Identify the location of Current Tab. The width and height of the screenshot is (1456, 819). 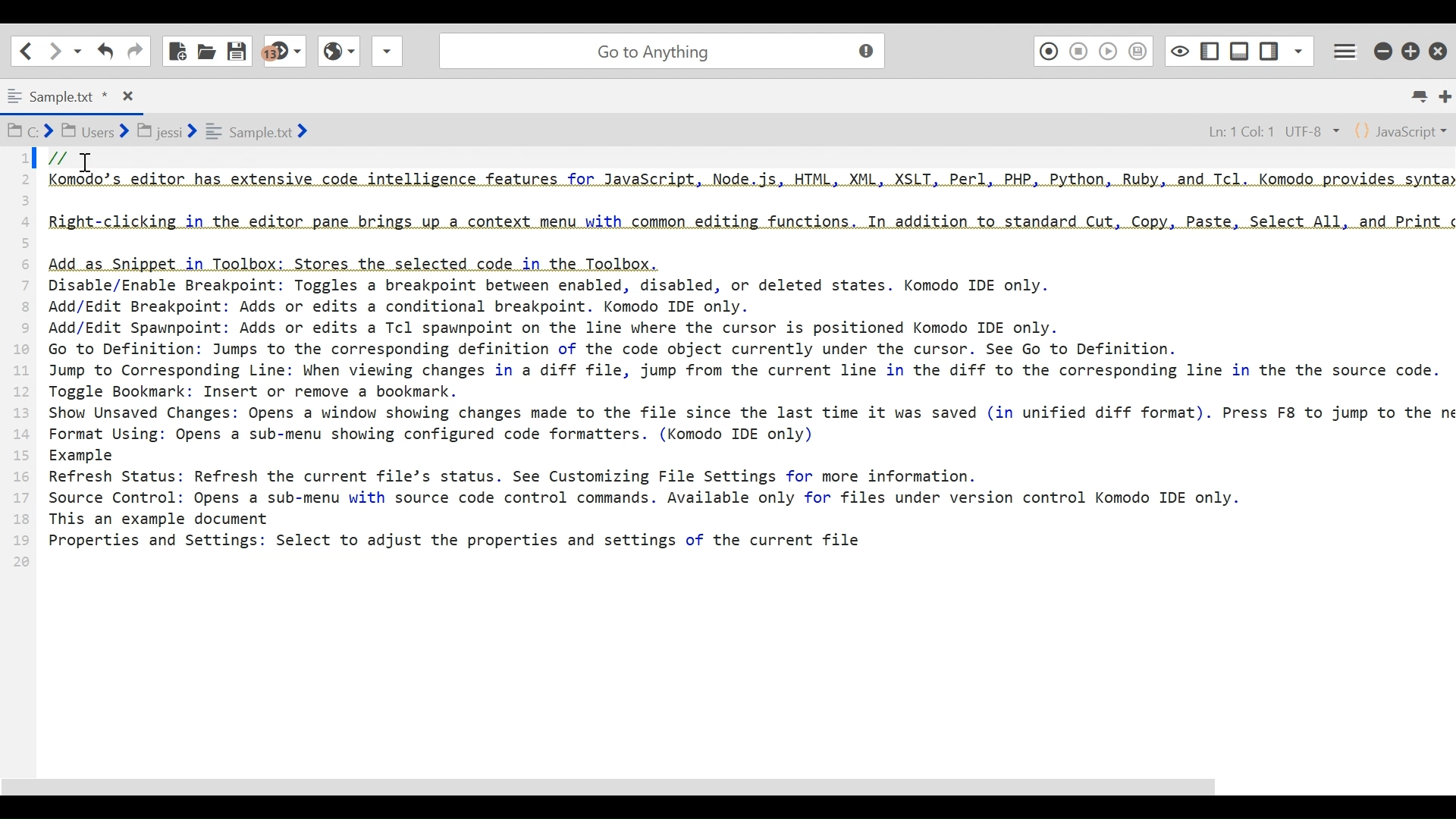
(68, 94).